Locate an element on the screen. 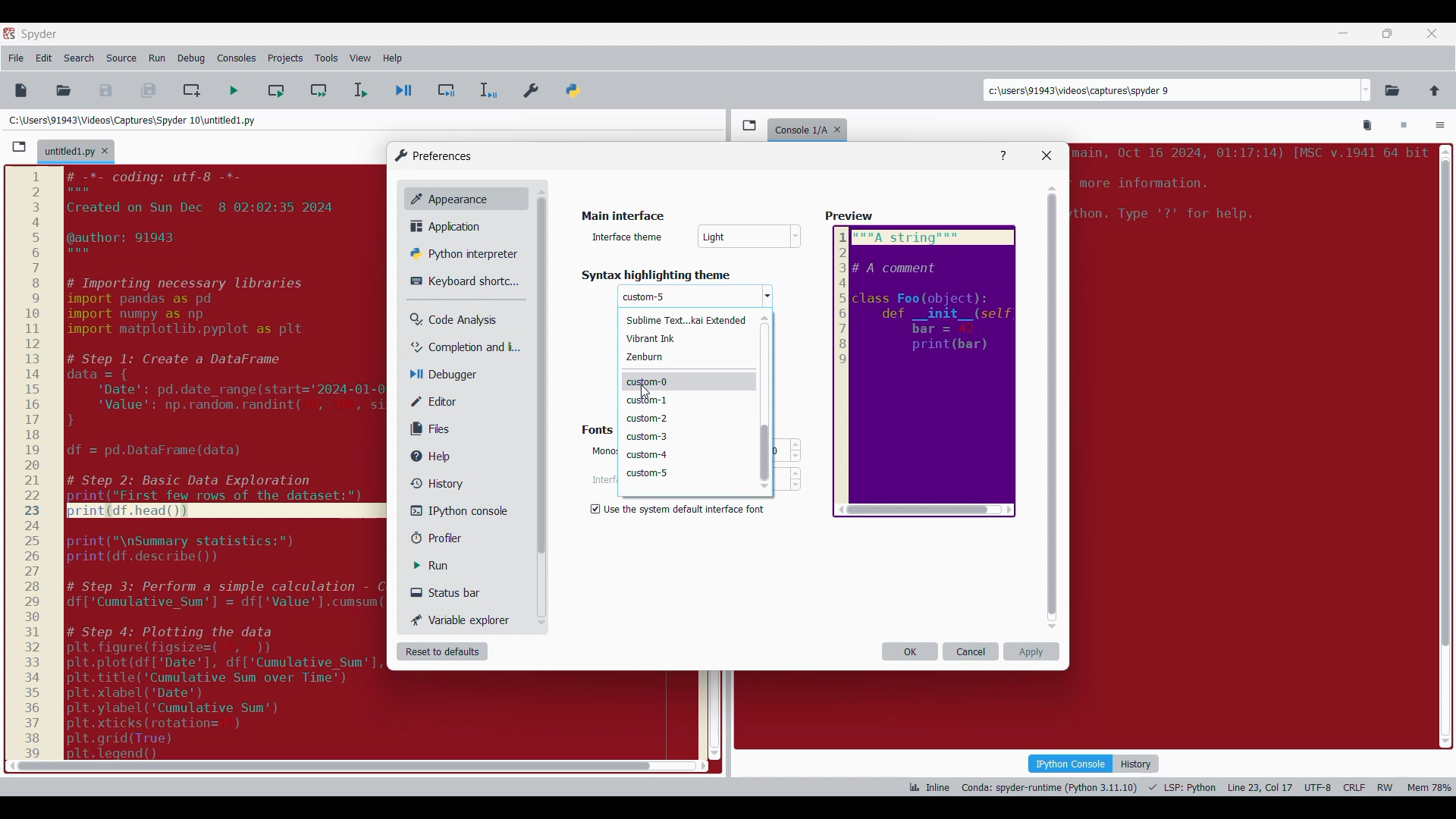 The width and height of the screenshot is (1456, 819). PYTHONPATH manager is located at coordinates (576, 87).